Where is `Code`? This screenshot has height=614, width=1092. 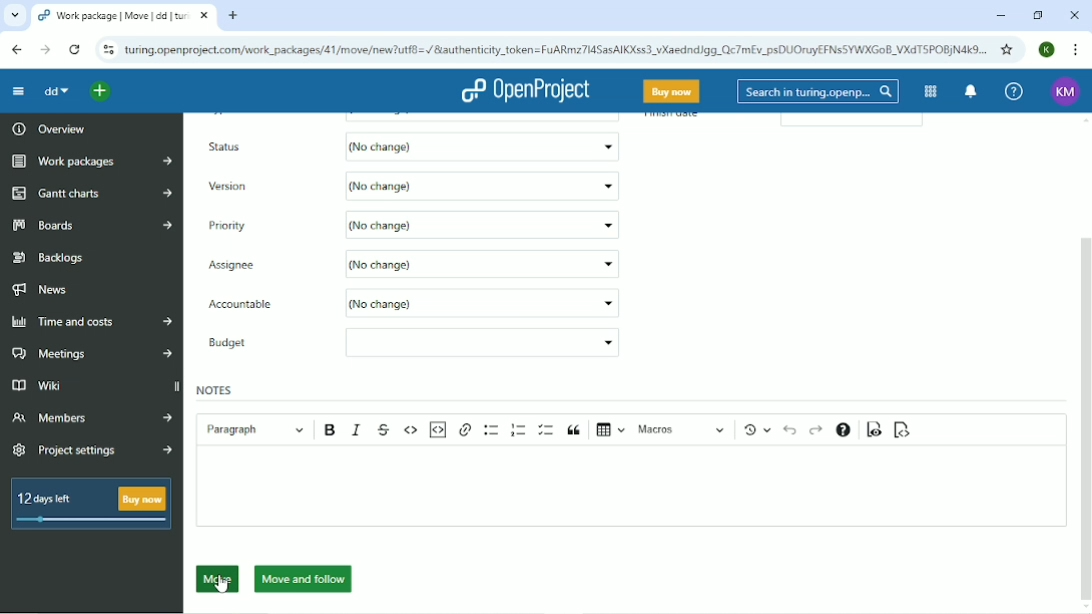
Code is located at coordinates (412, 432).